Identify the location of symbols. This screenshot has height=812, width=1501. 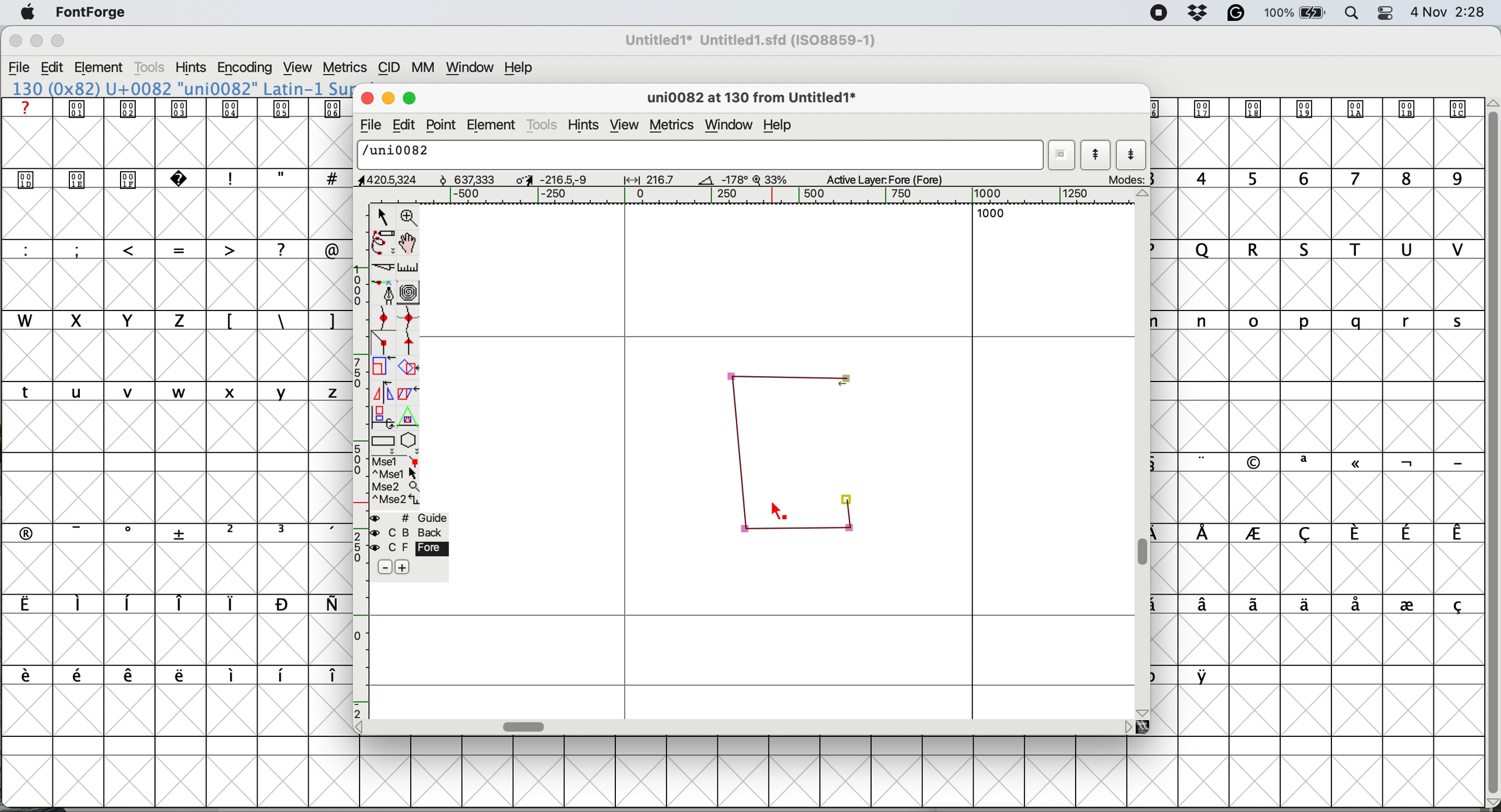
(172, 604).